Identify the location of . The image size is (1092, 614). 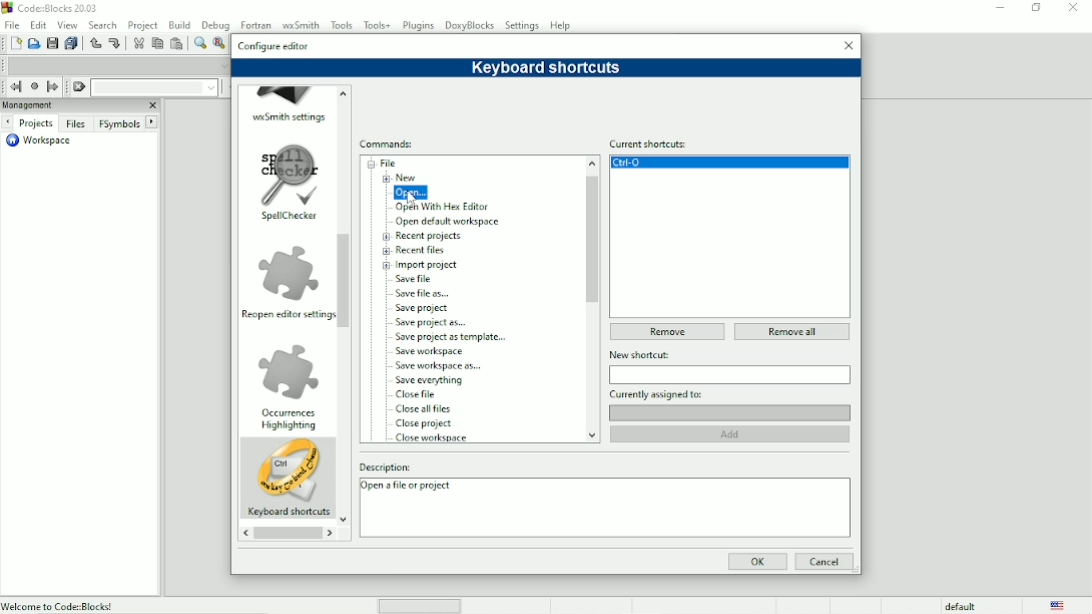
(730, 375).